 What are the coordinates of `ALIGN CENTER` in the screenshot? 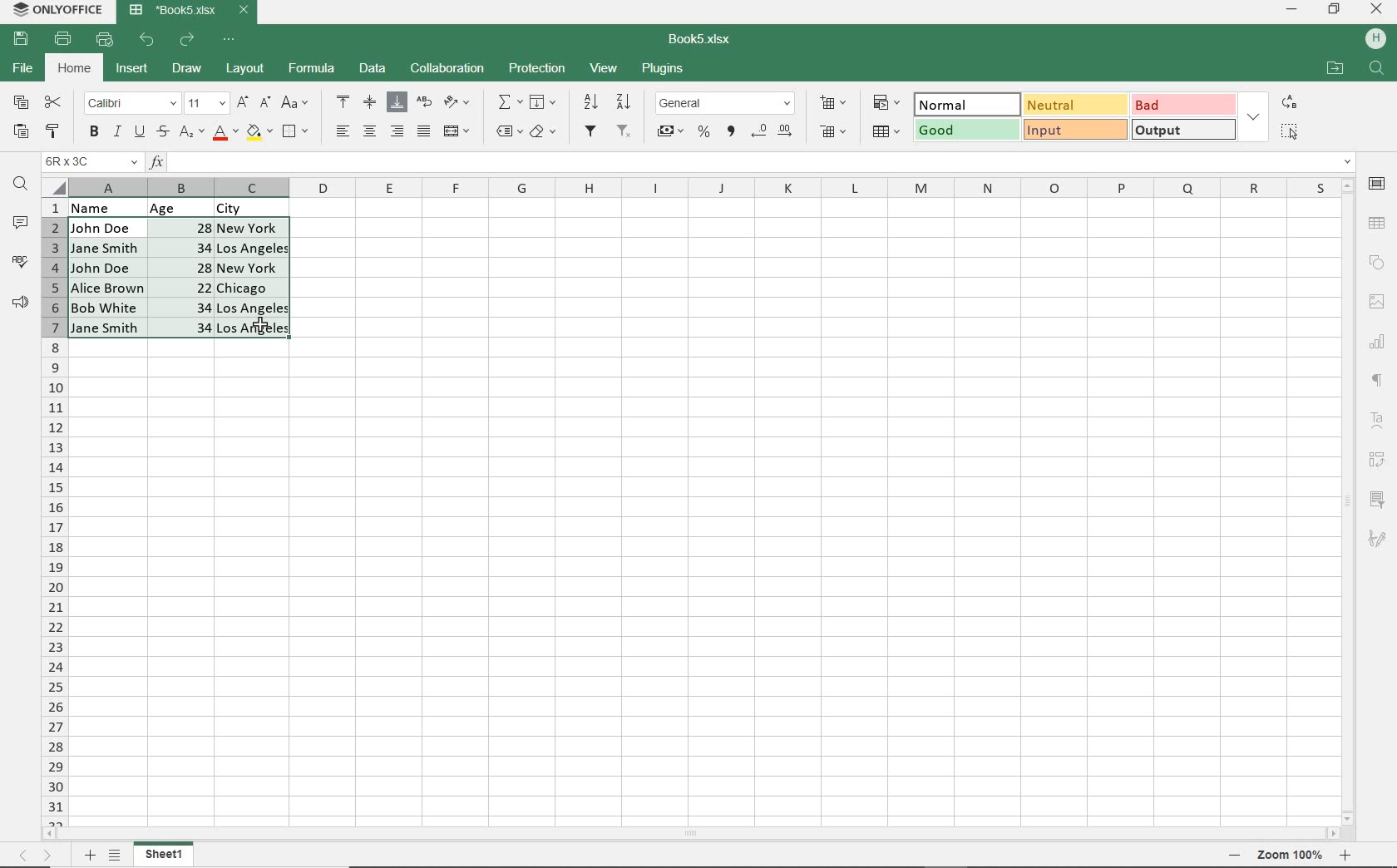 It's located at (368, 132).